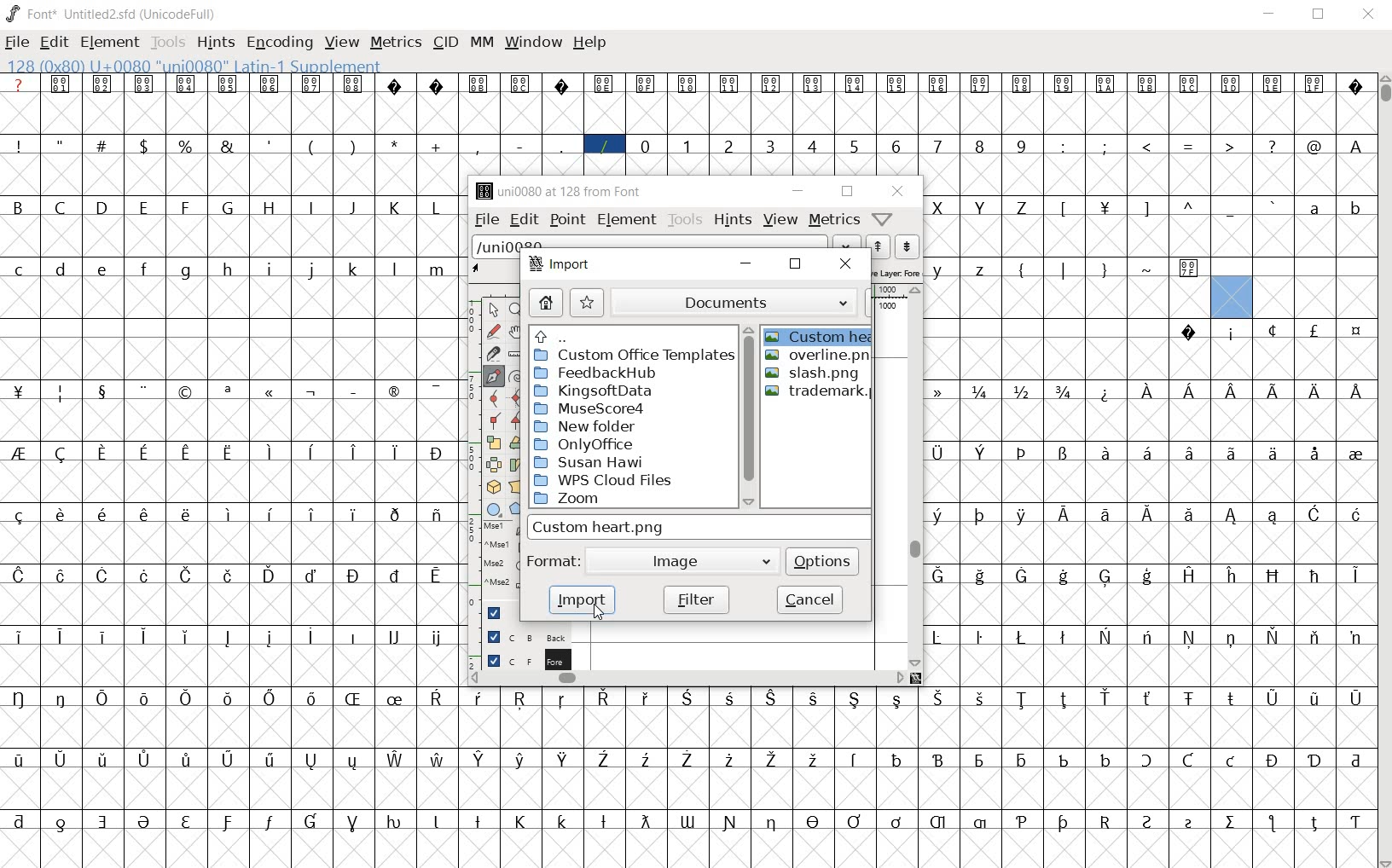 The image size is (1392, 868). What do you see at coordinates (1315, 637) in the screenshot?
I see `glyph` at bounding box center [1315, 637].